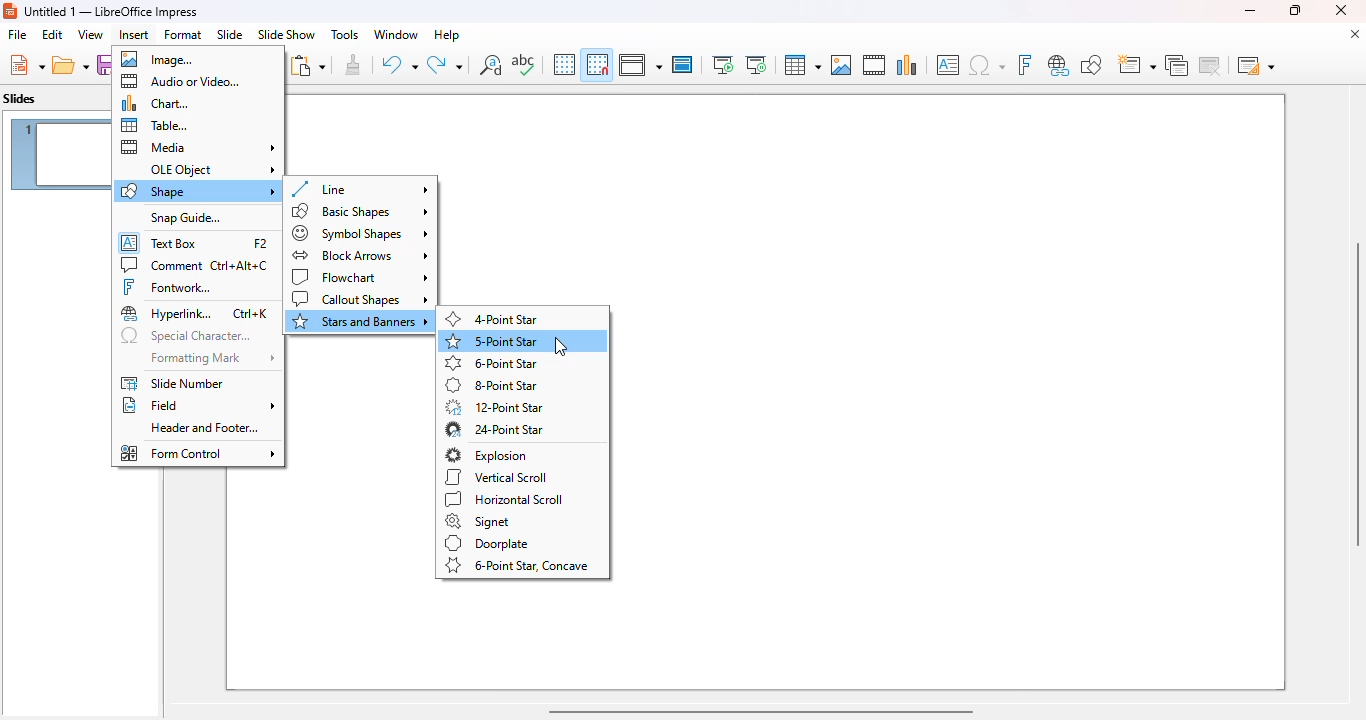 Image resolution: width=1366 pixels, height=720 pixels. What do you see at coordinates (344, 34) in the screenshot?
I see `tools` at bounding box center [344, 34].